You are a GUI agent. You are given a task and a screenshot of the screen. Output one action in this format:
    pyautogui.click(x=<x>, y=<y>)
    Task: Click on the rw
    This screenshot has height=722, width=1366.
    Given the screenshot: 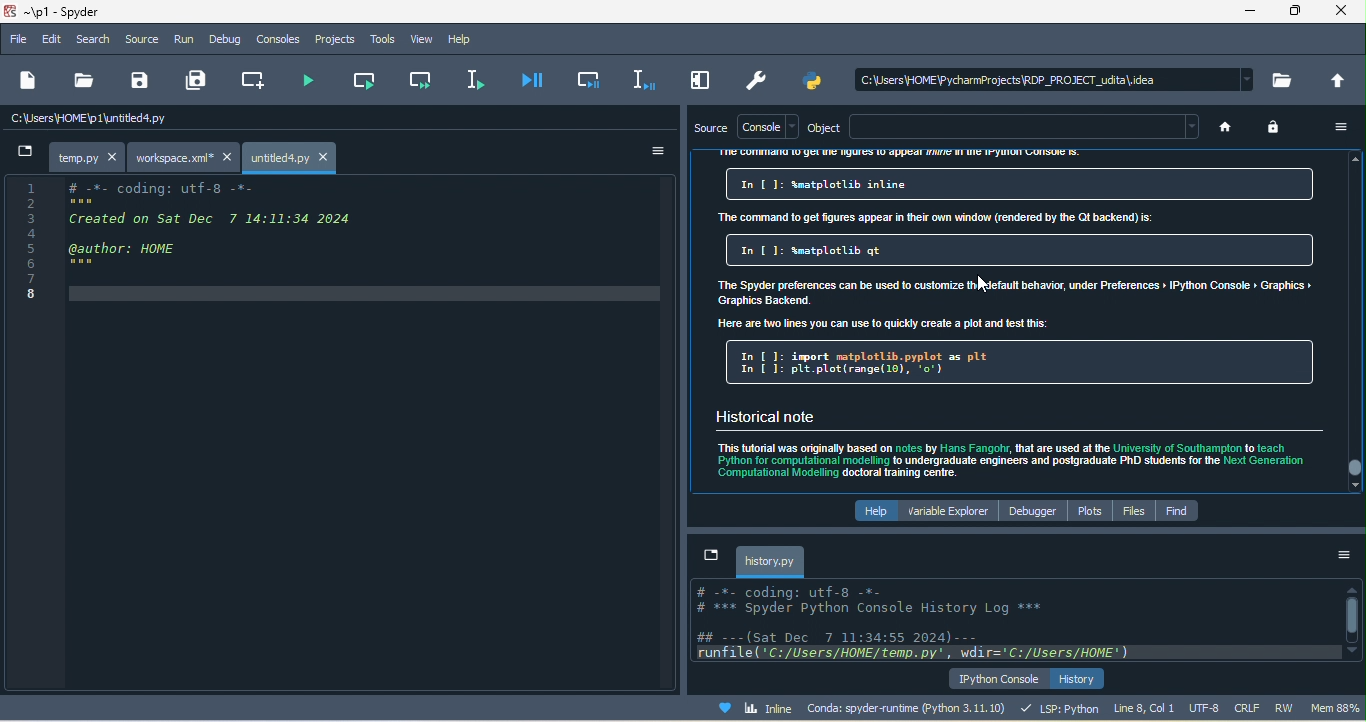 What is the action you would take?
    pyautogui.click(x=1284, y=708)
    